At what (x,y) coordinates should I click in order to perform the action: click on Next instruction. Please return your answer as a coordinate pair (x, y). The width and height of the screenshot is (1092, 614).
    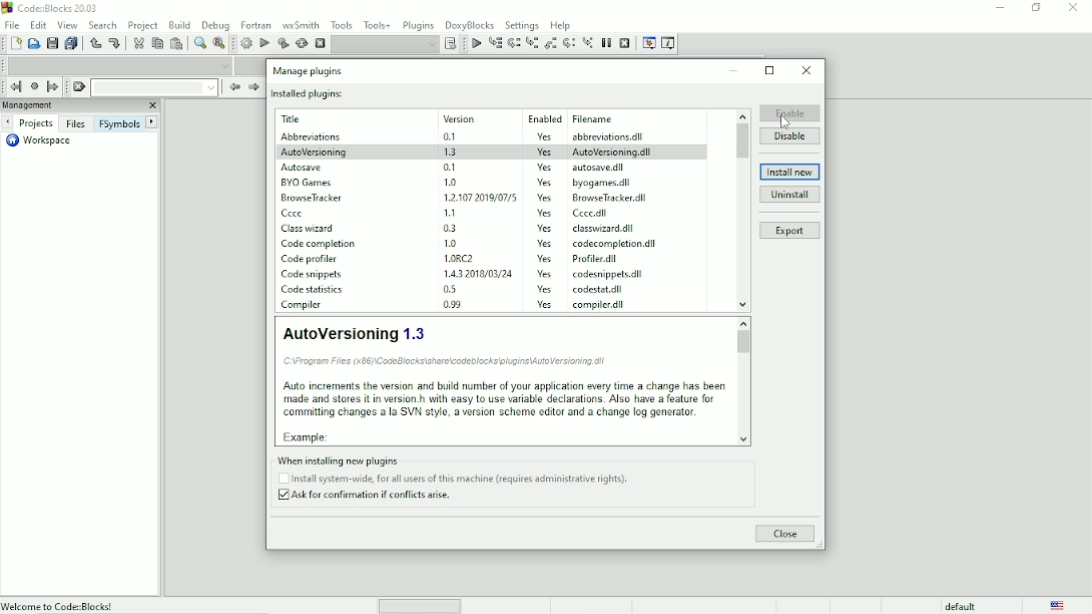
    Looking at the image, I should click on (569, 43).